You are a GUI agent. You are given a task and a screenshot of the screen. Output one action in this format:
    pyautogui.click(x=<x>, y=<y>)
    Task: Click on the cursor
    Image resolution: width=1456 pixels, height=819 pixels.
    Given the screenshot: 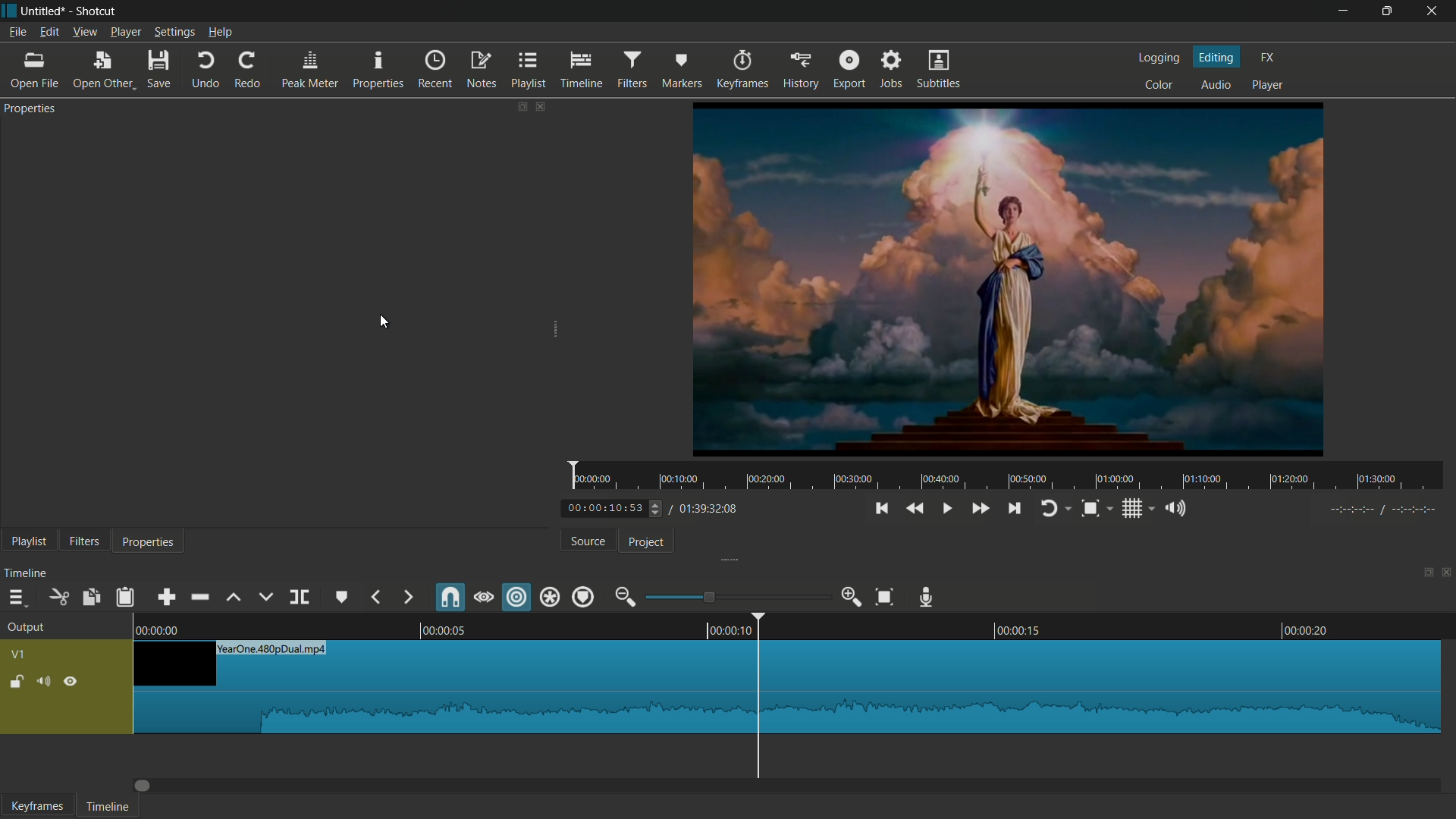 What is the action you would take?
    pyautogui.click(x=381, y=322)
    